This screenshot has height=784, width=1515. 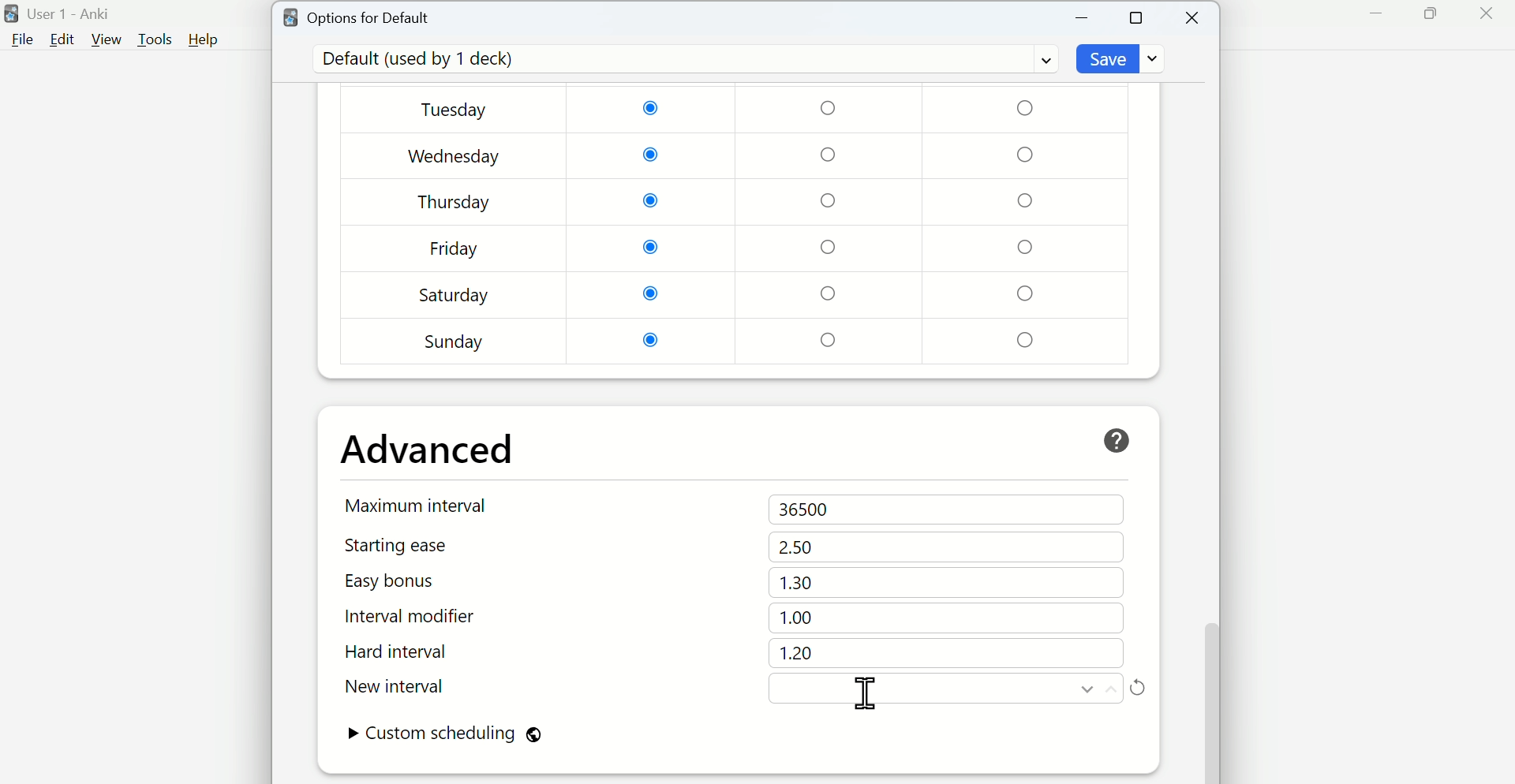 I want to click on 2.50, so click(x=796, y=547).